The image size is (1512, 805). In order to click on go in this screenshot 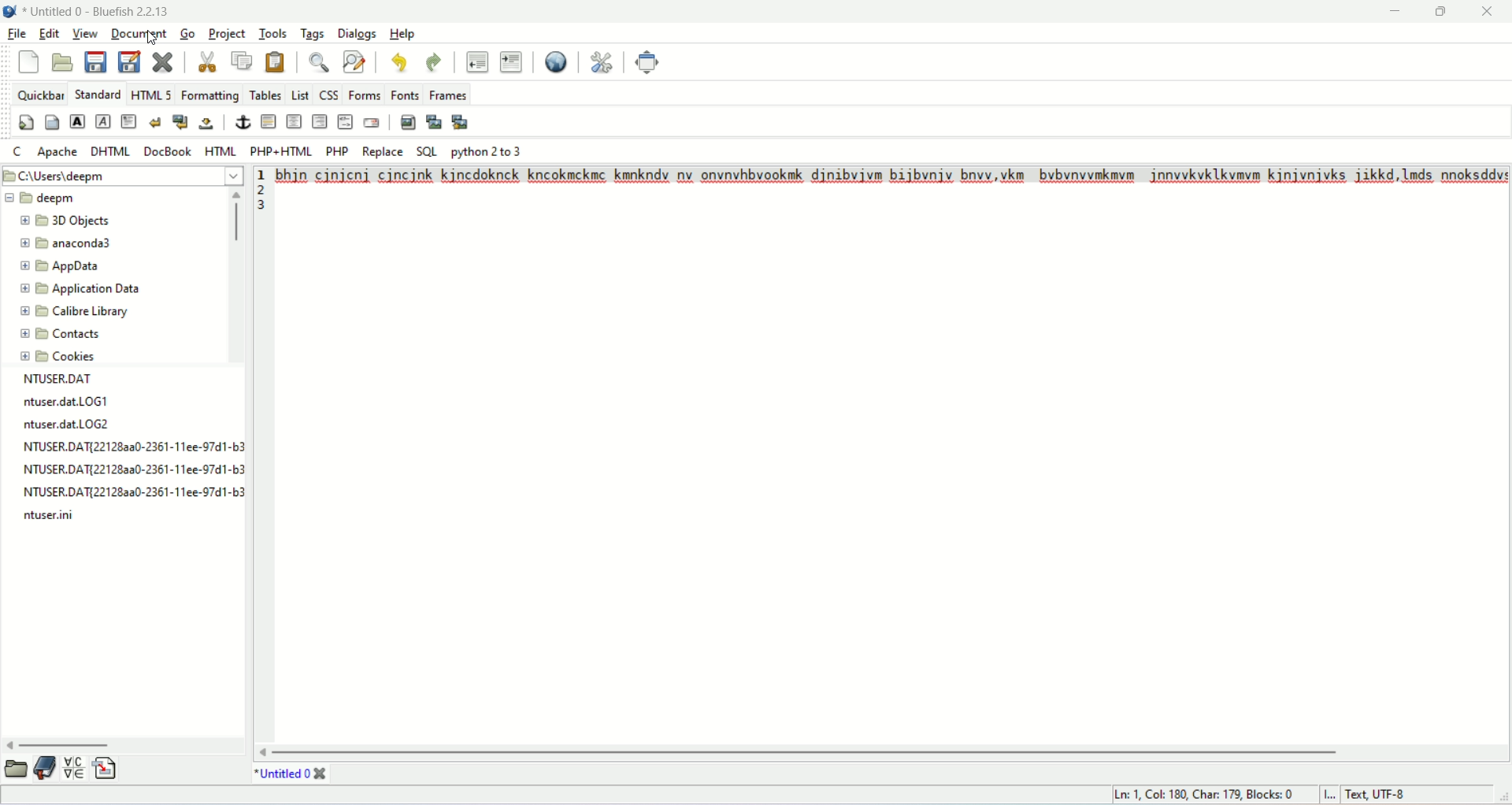, I will do `click(191, 34)`.